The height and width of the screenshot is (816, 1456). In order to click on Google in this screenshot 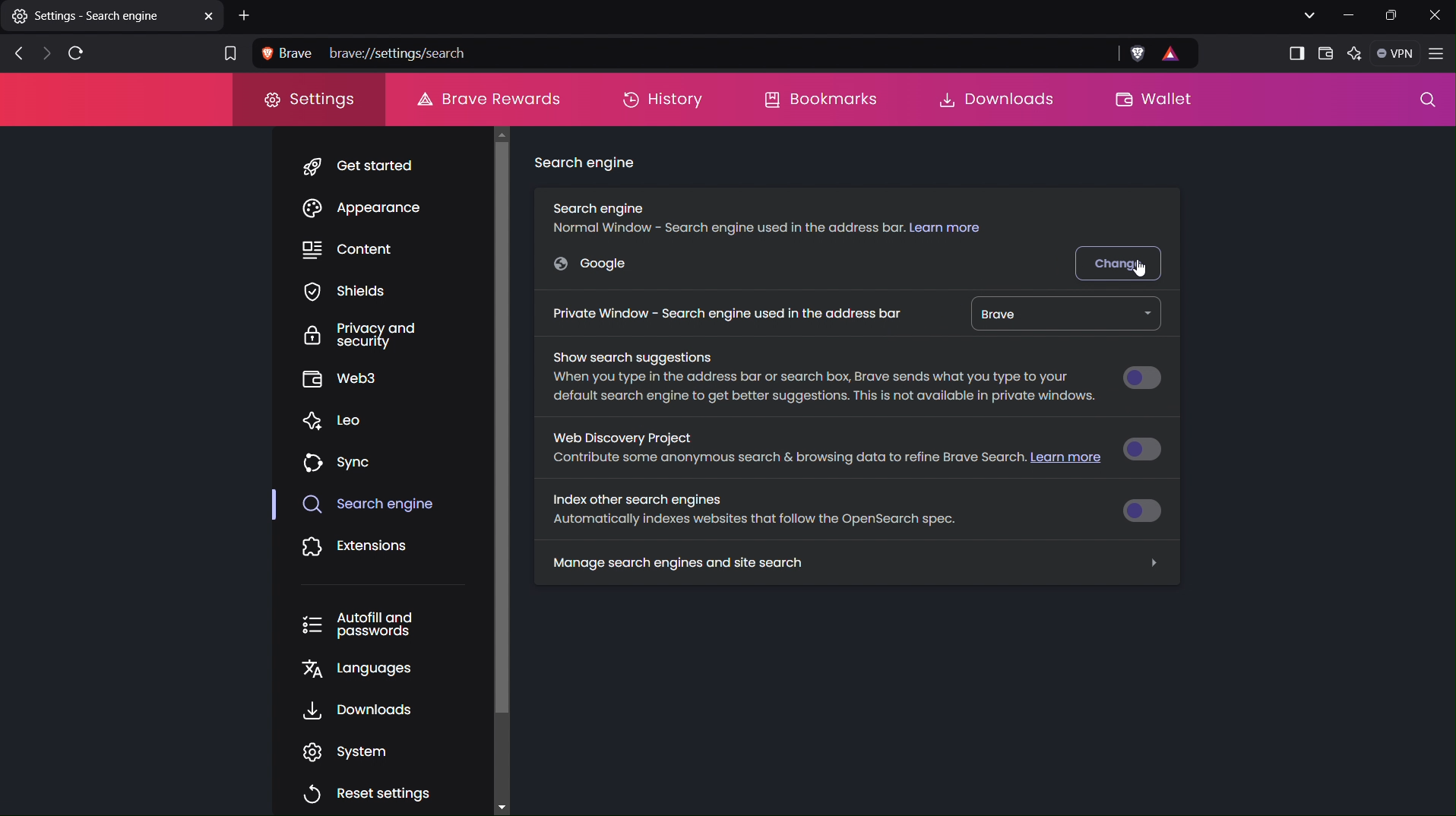, I will do `click(596, 264)`.